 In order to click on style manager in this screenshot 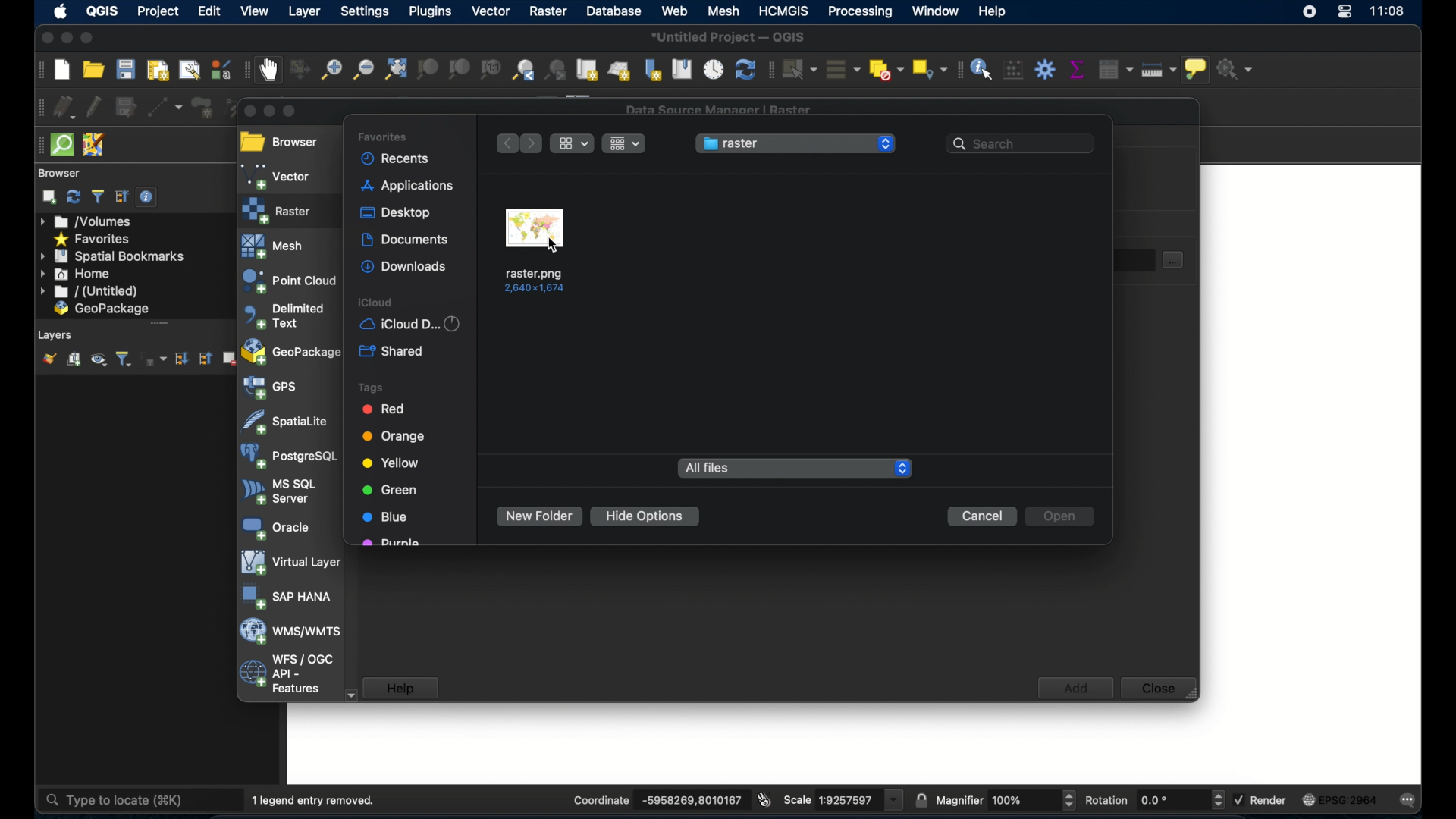, I will do `click(220, 69)`.